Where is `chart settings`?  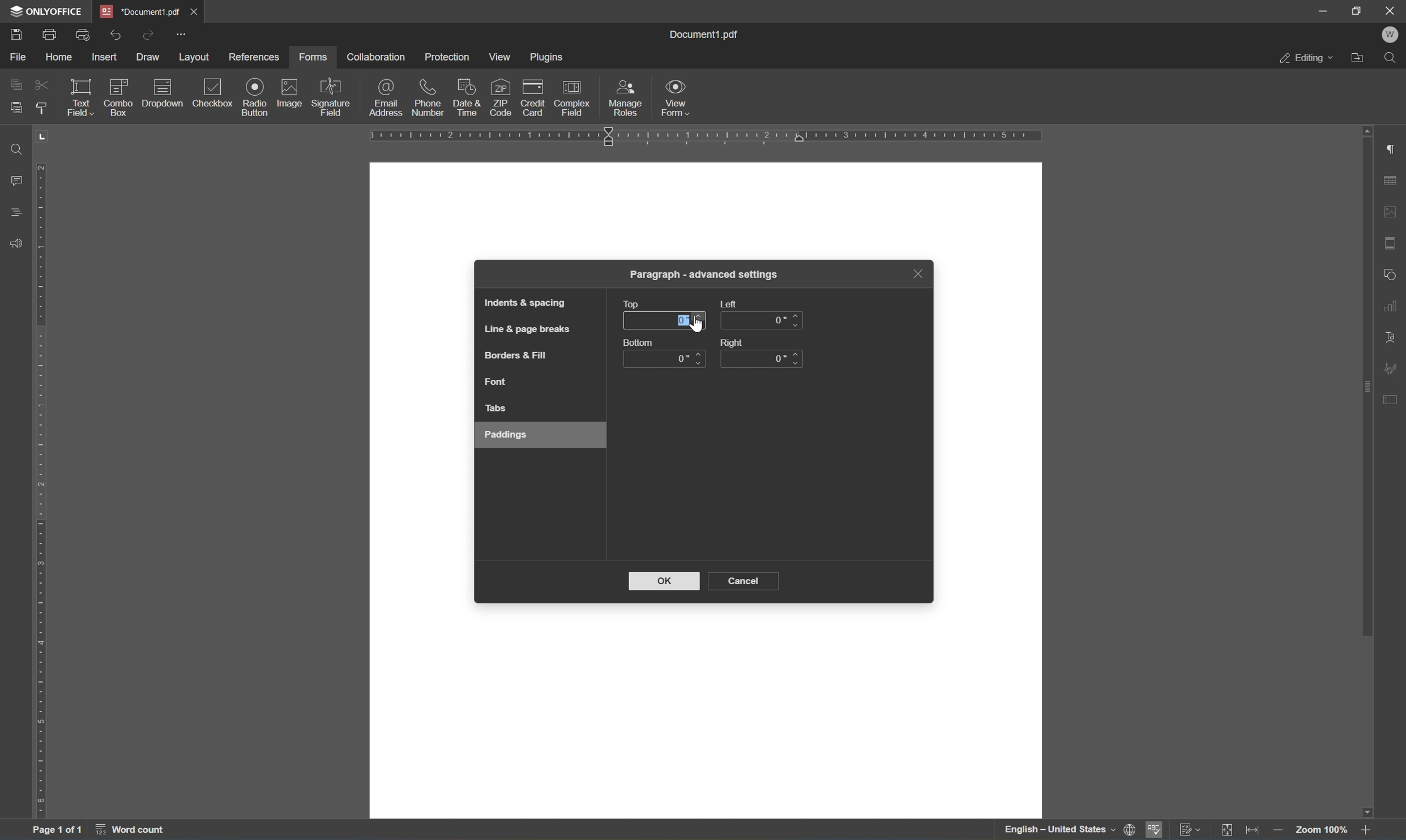
chart settings is located at coordinates (1393, 306).